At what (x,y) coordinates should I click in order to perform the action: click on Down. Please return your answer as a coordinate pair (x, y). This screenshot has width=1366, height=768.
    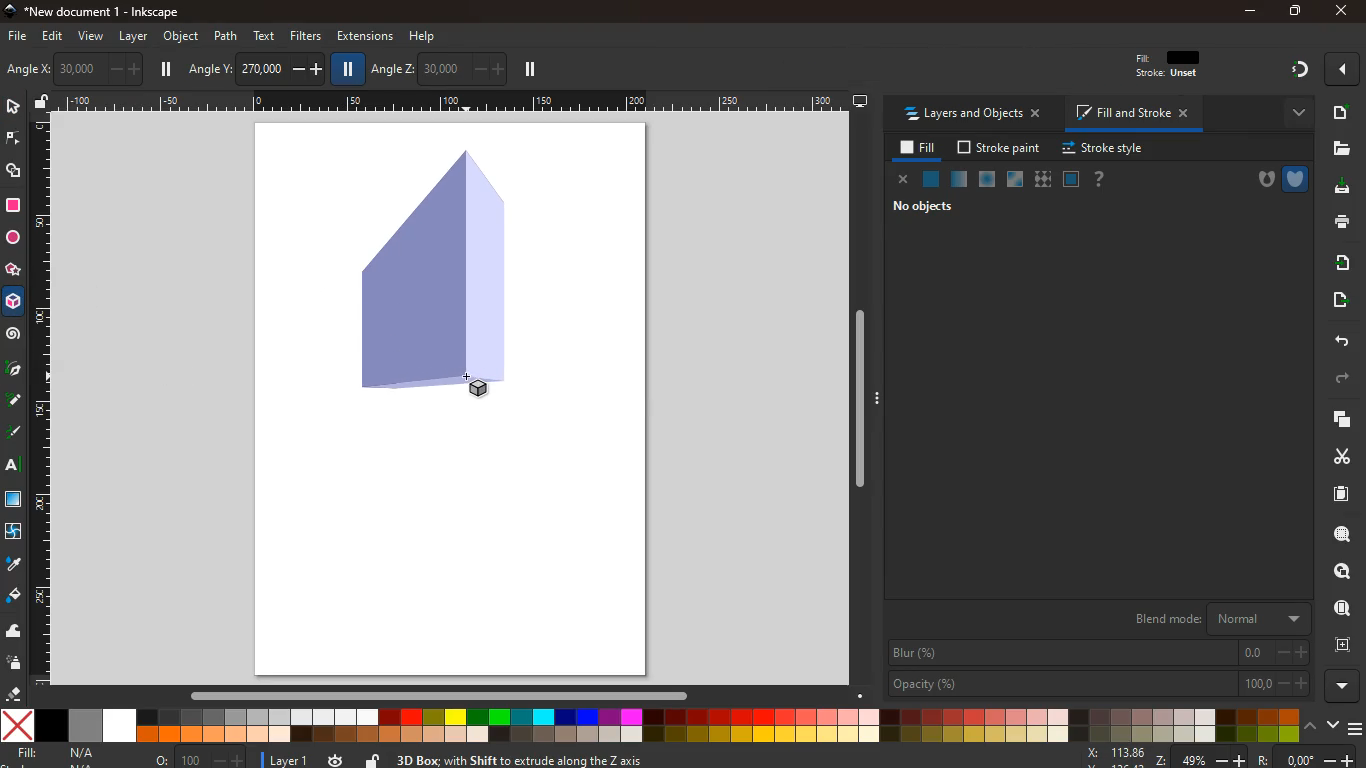
    Looking at the image, I should click on (863, 690).